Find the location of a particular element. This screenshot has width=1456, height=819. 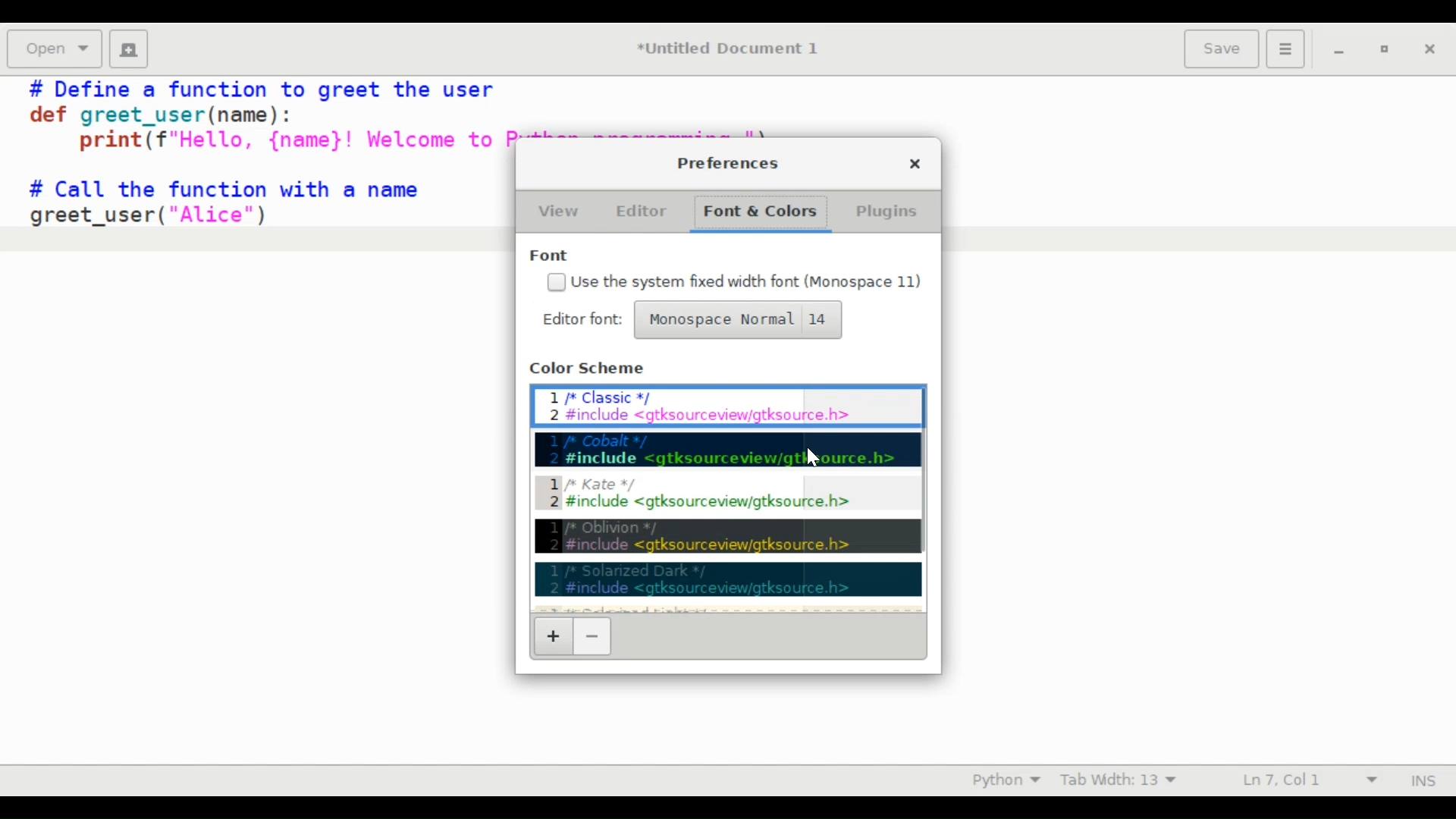

Document name is located at coordinates (732, 49).